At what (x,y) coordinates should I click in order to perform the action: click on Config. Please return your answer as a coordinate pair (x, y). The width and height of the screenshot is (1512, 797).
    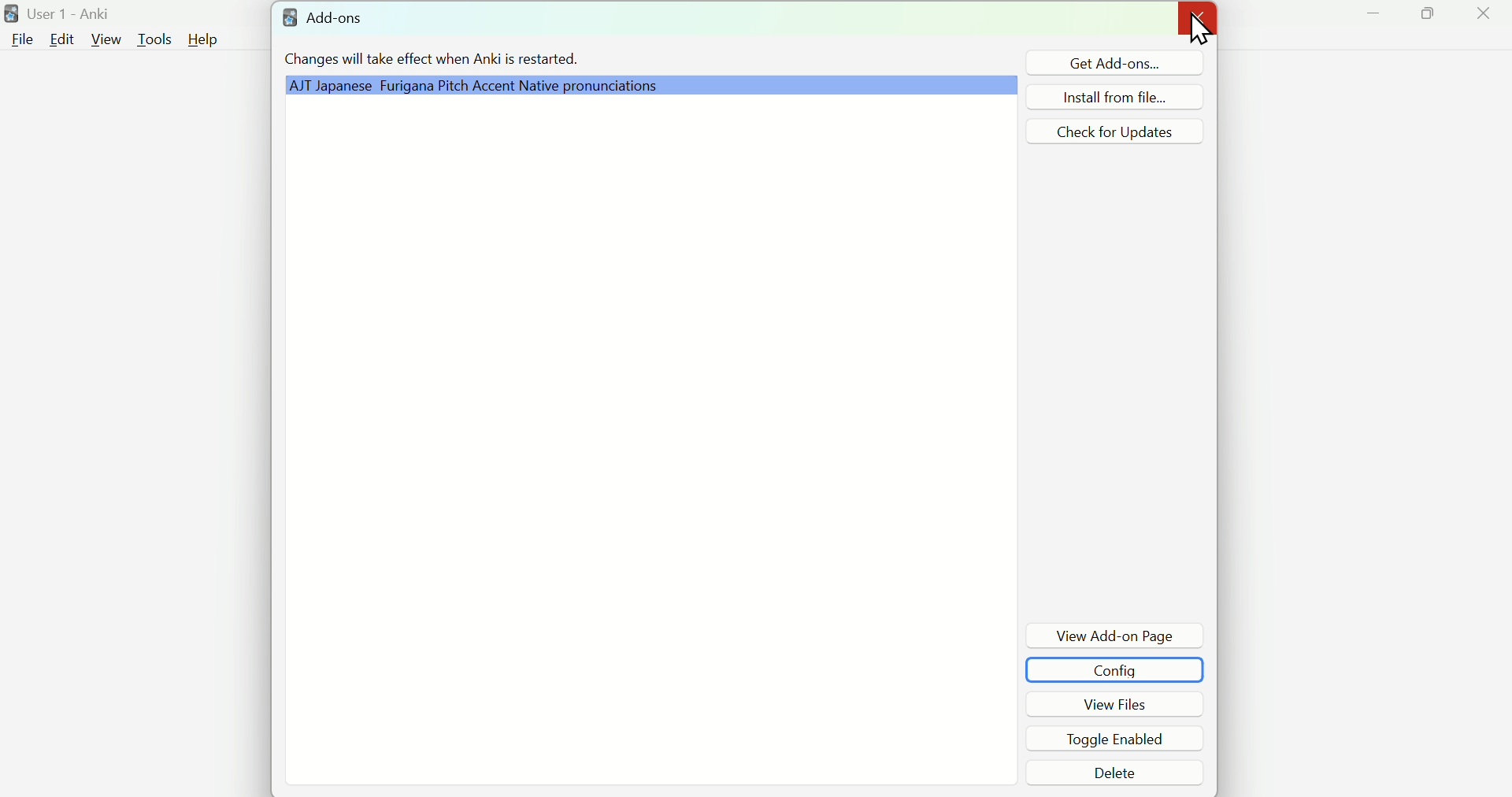
    Looking at the image, I should click on (1114, 673).